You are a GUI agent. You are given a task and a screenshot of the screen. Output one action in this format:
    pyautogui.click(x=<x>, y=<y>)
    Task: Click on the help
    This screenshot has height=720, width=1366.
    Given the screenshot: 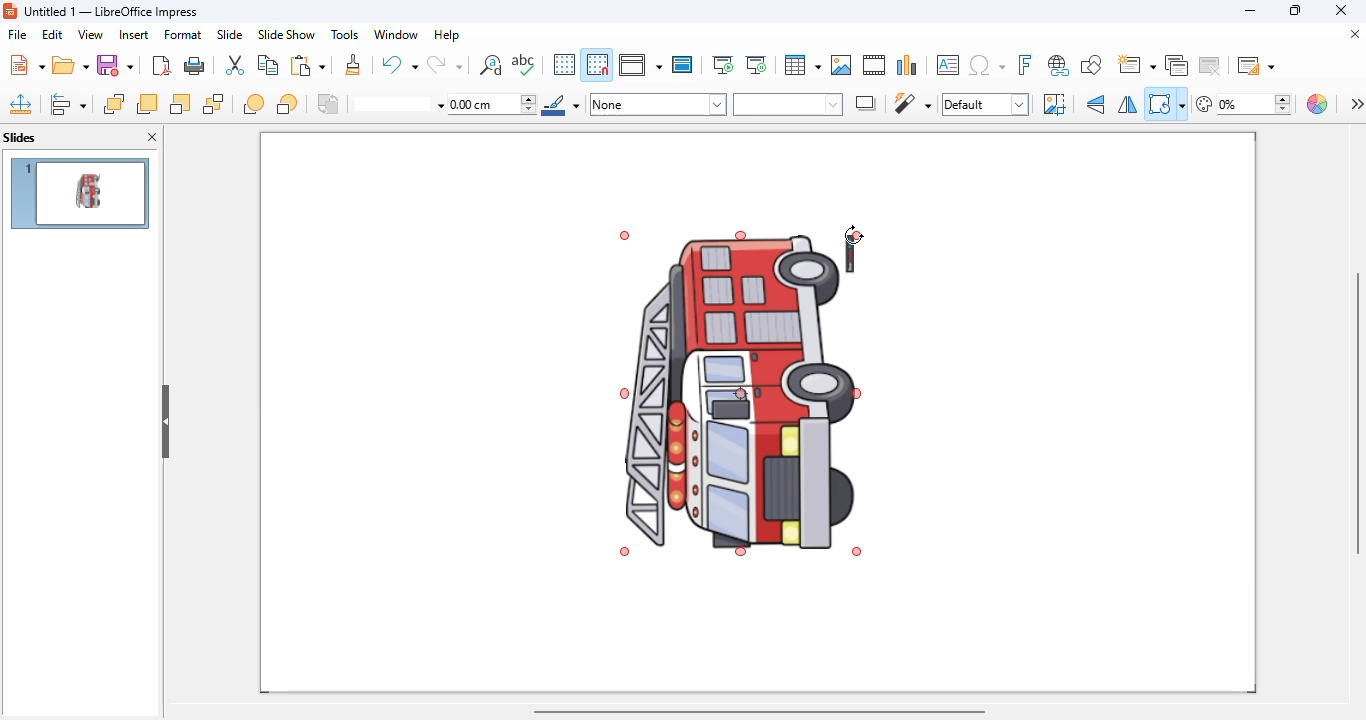 What is the action you would take?
    pyautogui.click(x=447, y=34)
    